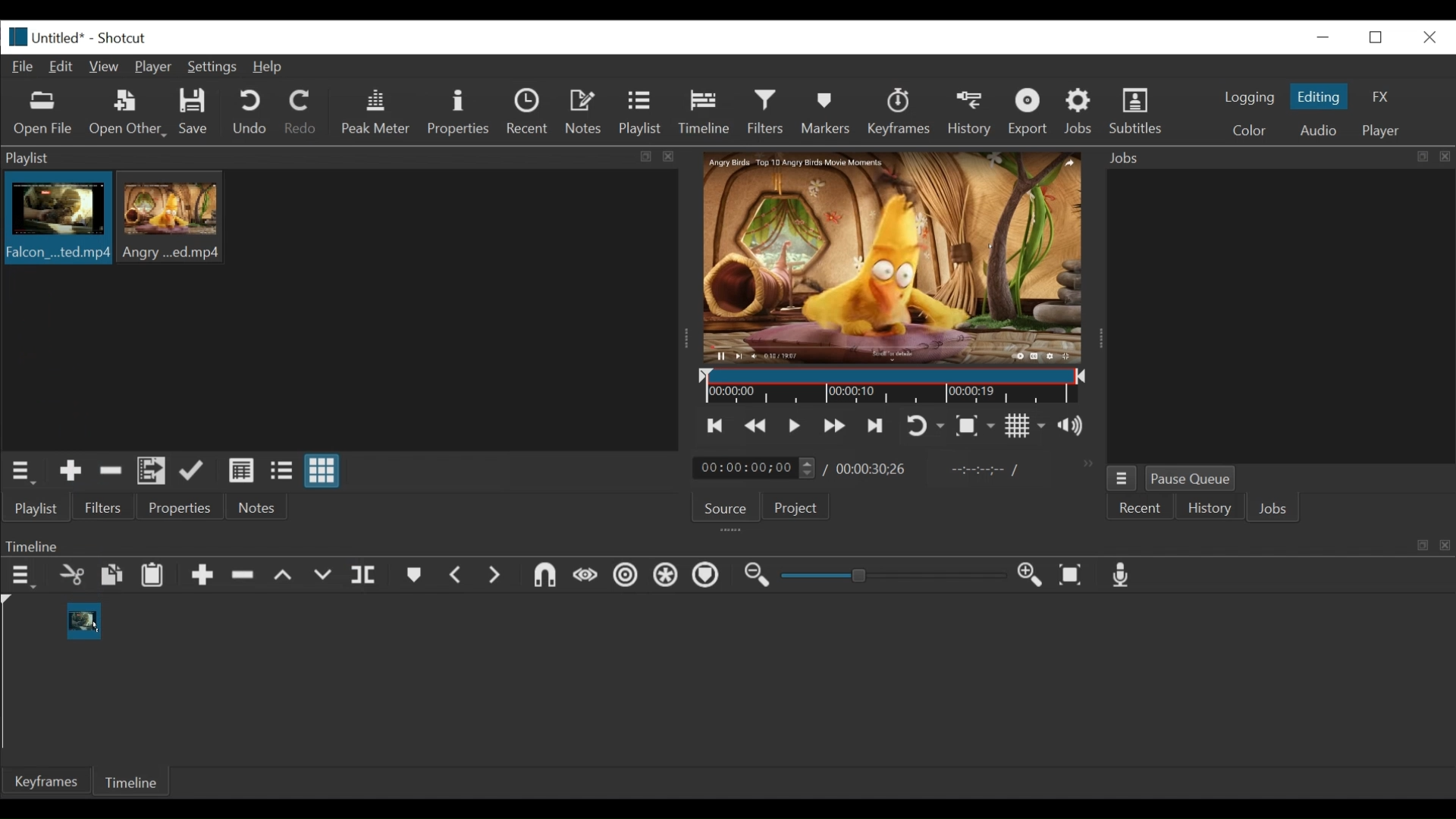 The width and height of the screenshot is (1456, 819). I want to click on Ripple markers, so click(709, 577).